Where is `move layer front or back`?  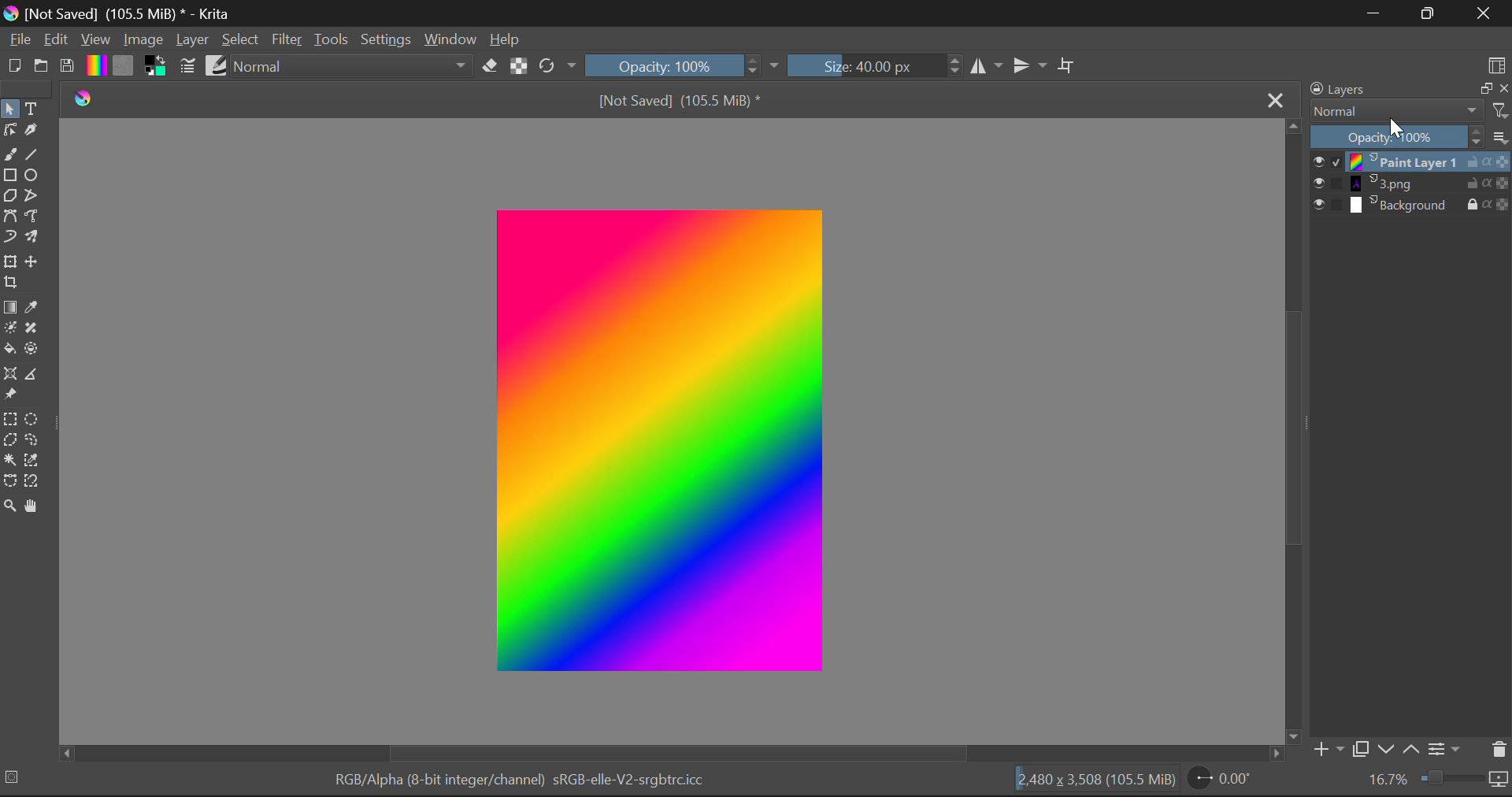
move layer front or back is located at coordinates (1402, 751).